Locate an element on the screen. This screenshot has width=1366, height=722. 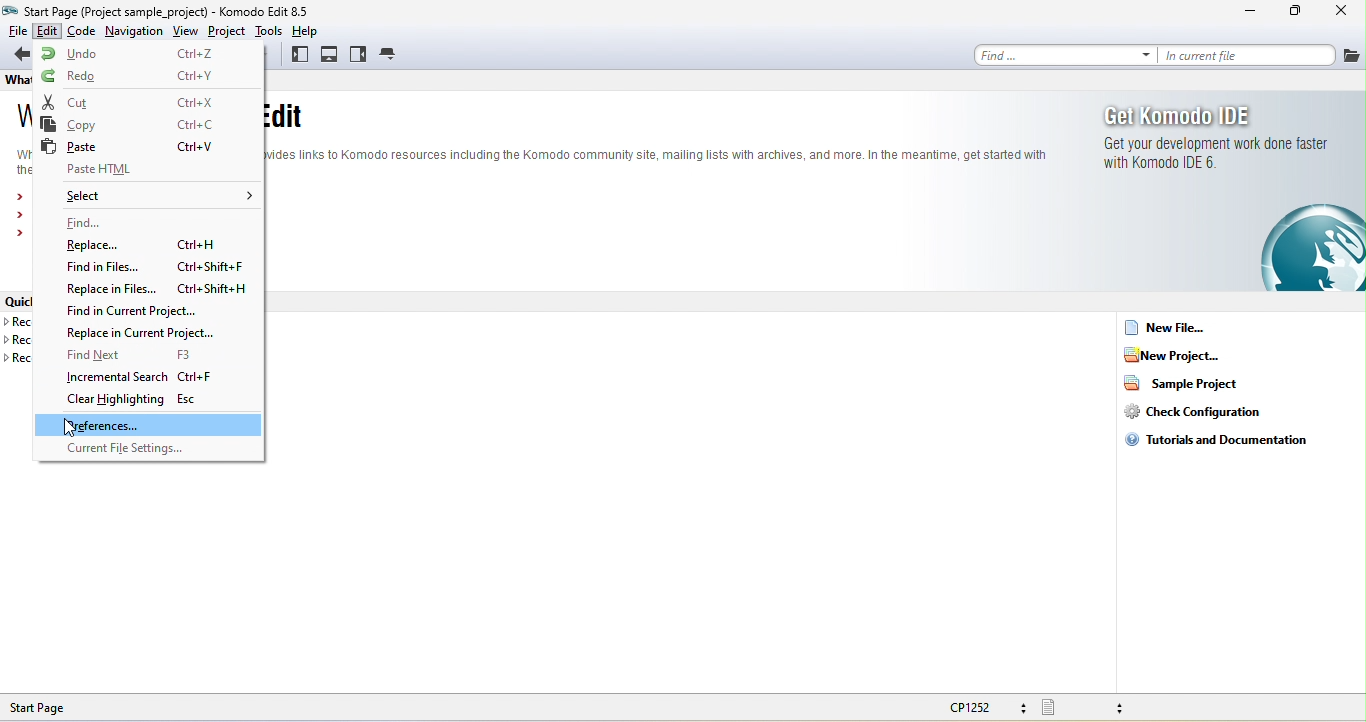
clear highlighting esc is located at coordinates (138, 397).